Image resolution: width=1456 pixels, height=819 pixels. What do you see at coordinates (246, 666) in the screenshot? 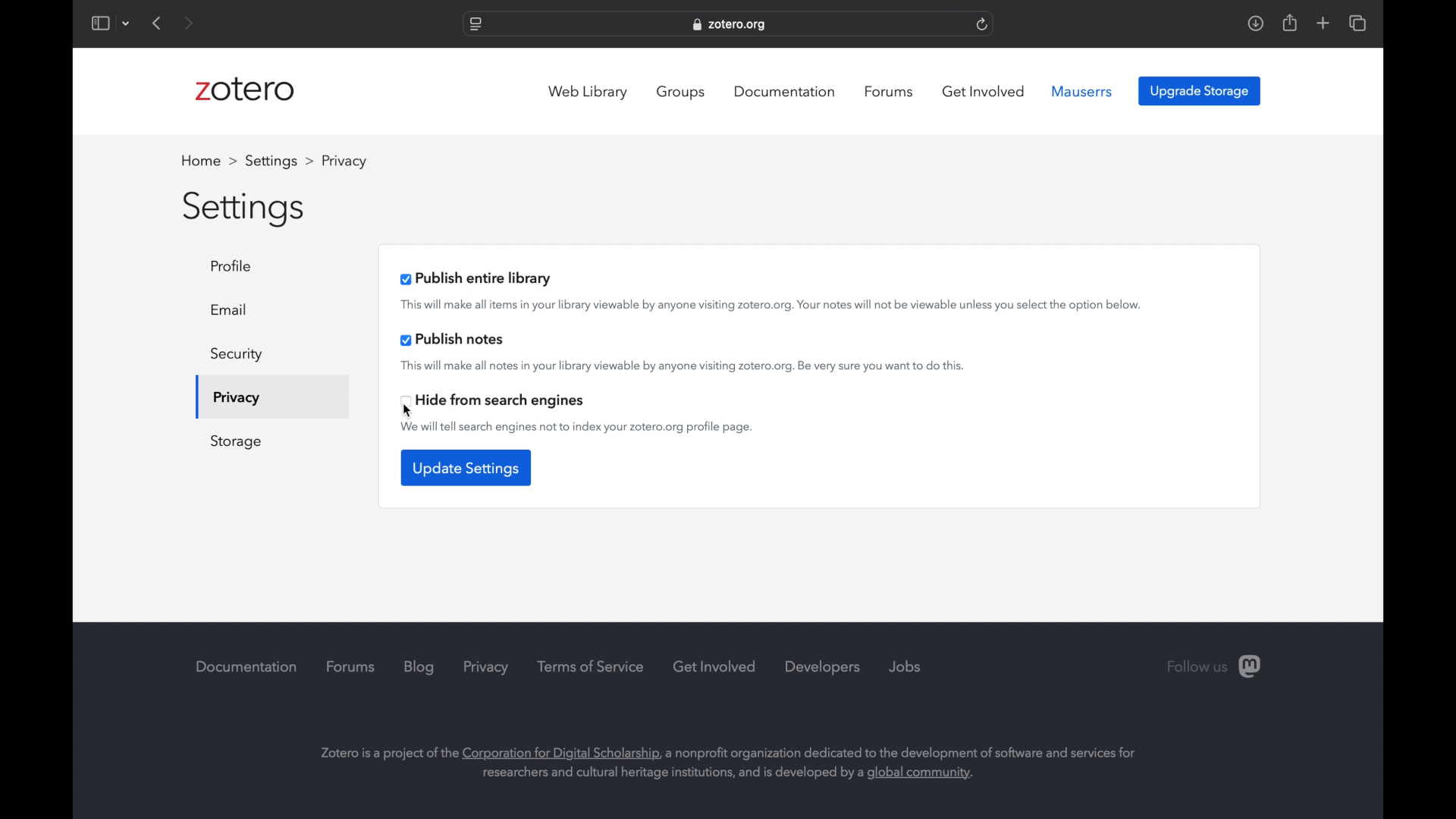
I see `documentation` at bounding box center [246, 666].